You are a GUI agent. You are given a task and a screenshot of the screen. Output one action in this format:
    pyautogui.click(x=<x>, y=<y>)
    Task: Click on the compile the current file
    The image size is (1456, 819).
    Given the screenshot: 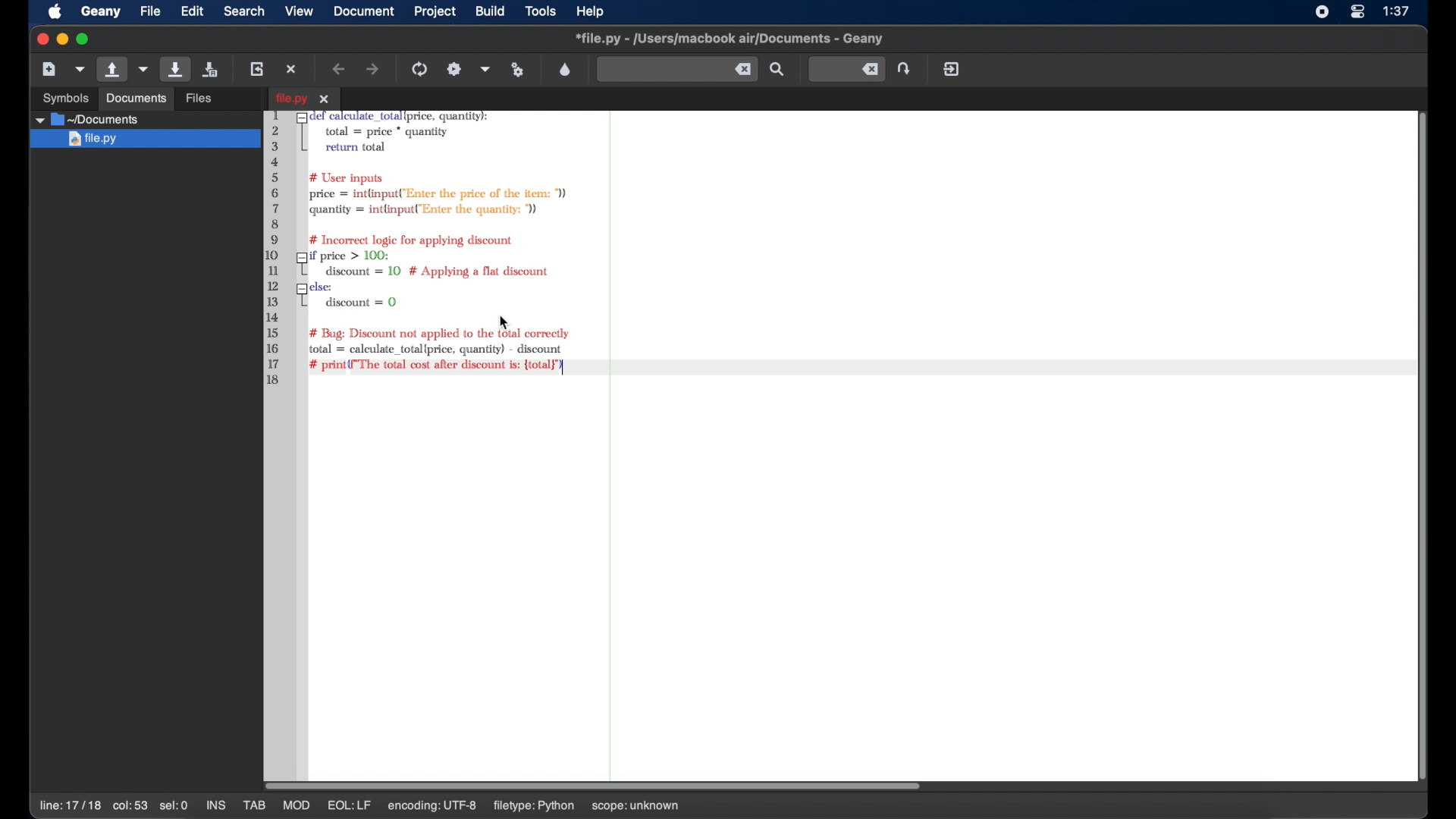 What is the action you would take?
    pyautogui.click(x=420, y=68)
    